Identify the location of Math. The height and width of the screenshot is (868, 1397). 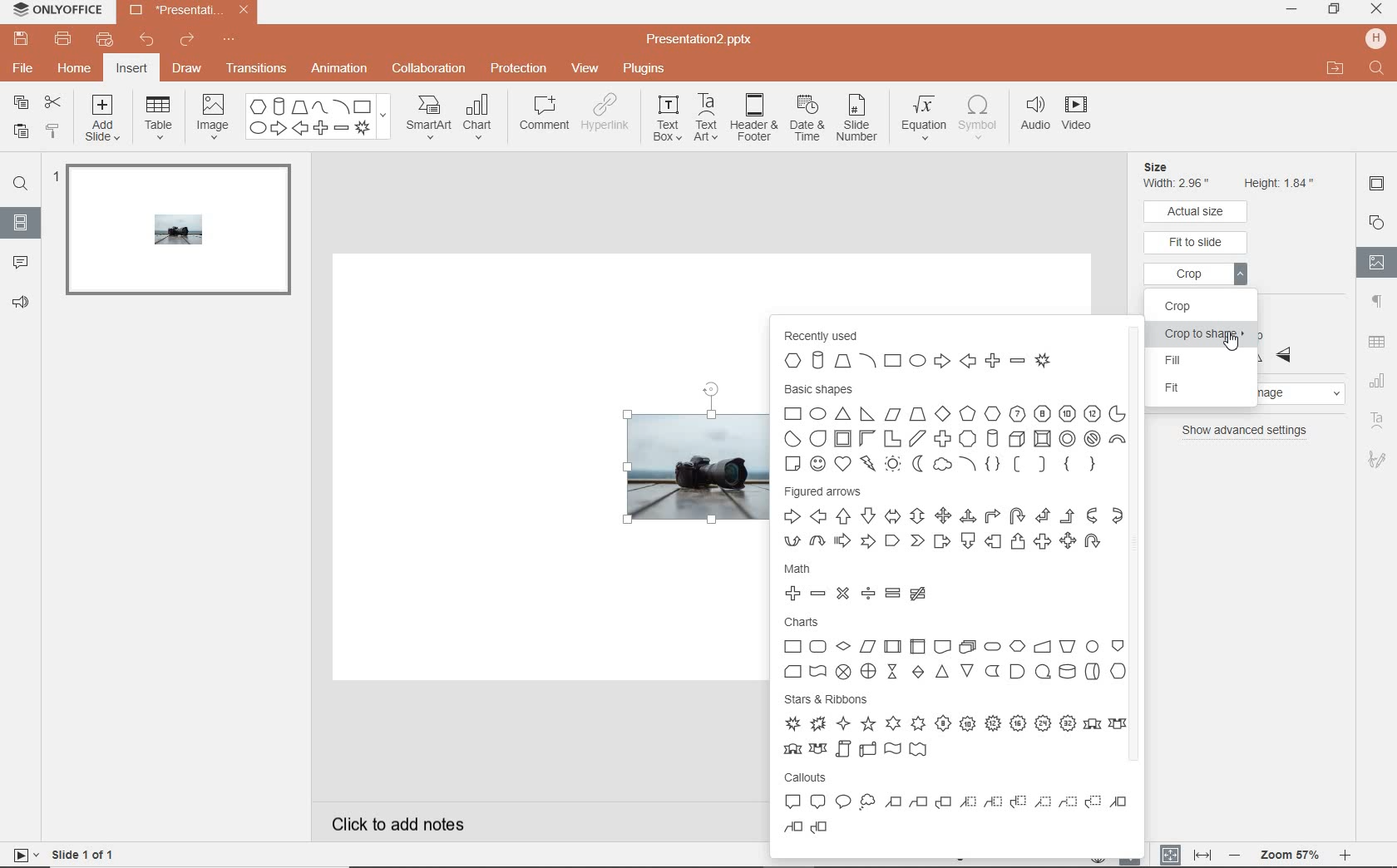
(866, 581).